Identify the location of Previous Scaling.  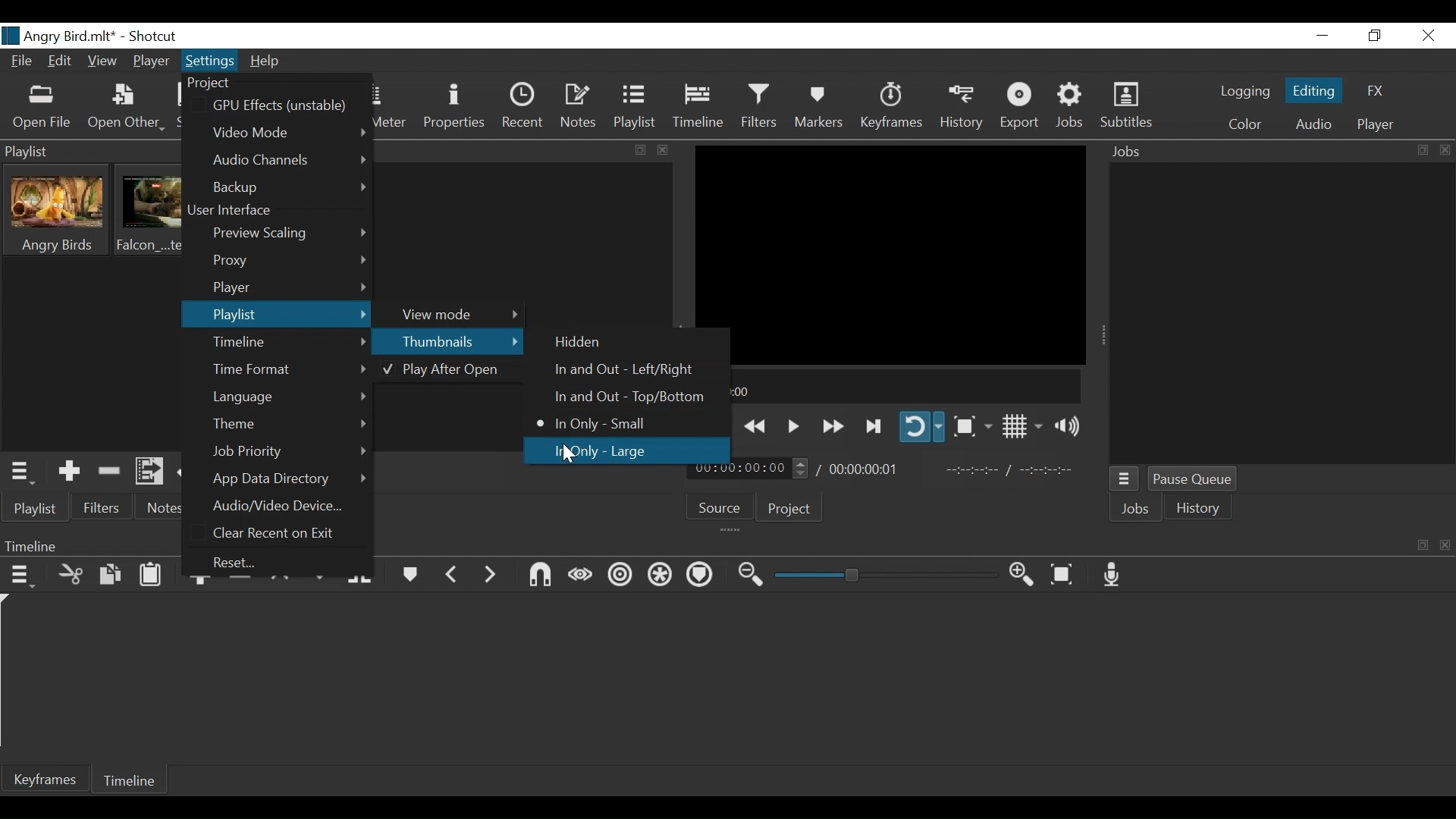
(289, 235).